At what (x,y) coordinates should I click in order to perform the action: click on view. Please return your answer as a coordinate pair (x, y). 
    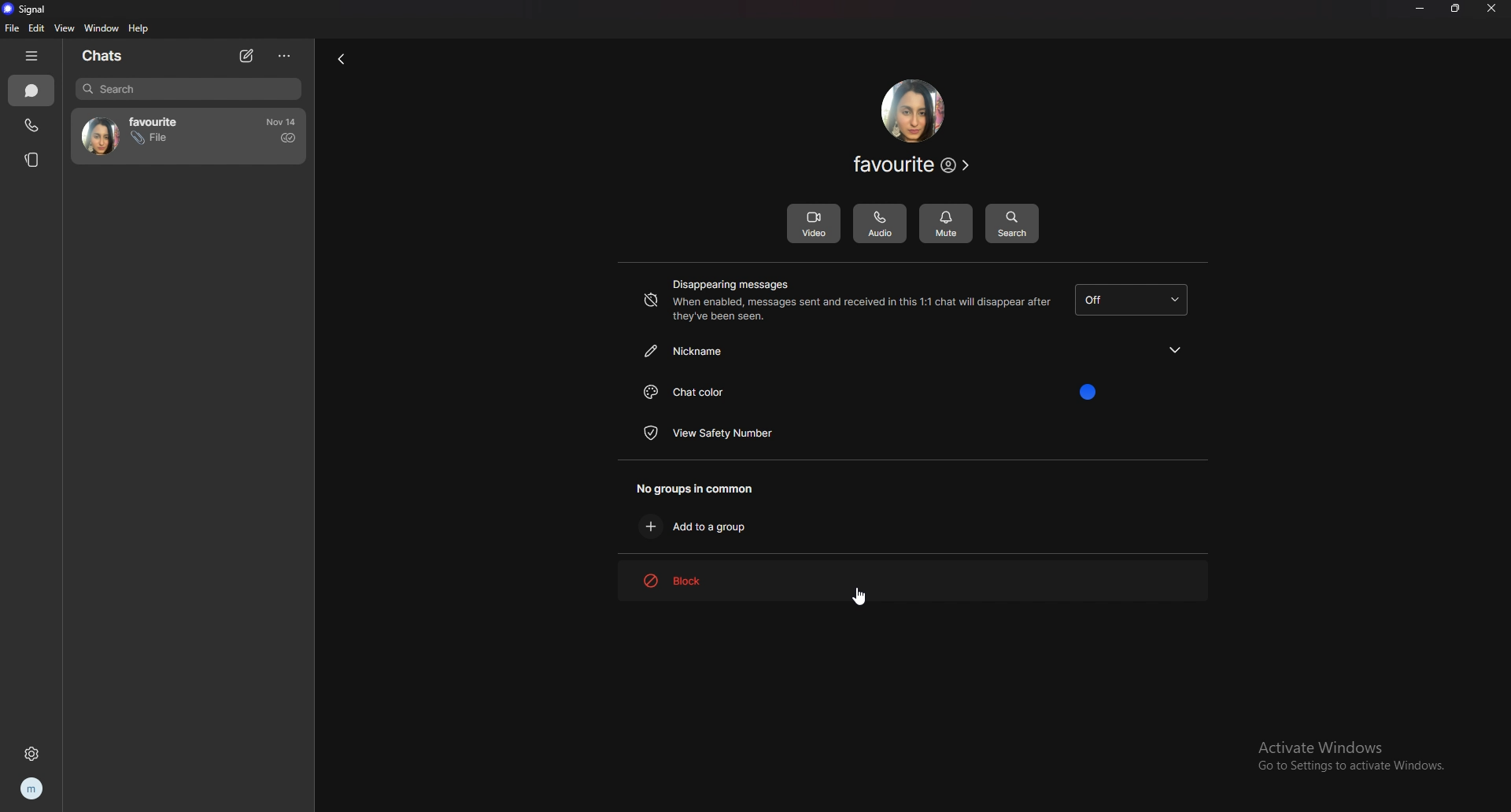
    Looking at the image, I should click on (66, 28).